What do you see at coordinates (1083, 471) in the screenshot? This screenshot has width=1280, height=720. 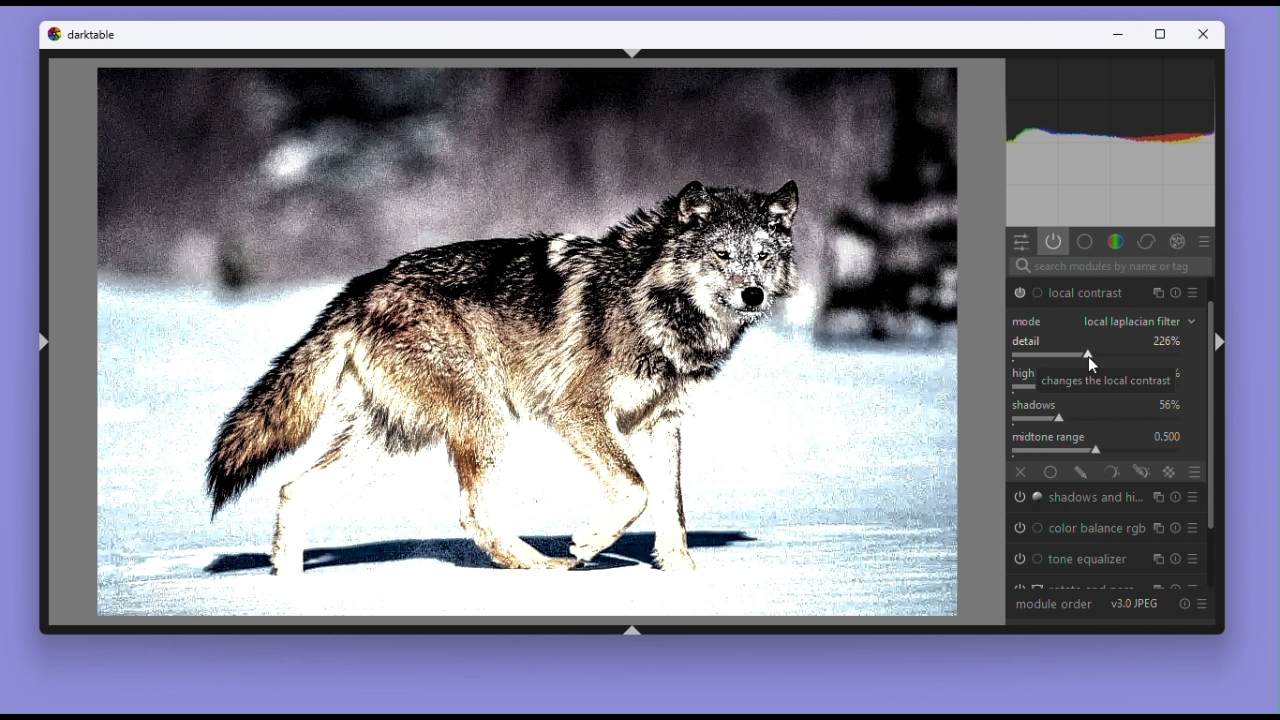 I see `drawn mask` at bounding box center [1083, 471].